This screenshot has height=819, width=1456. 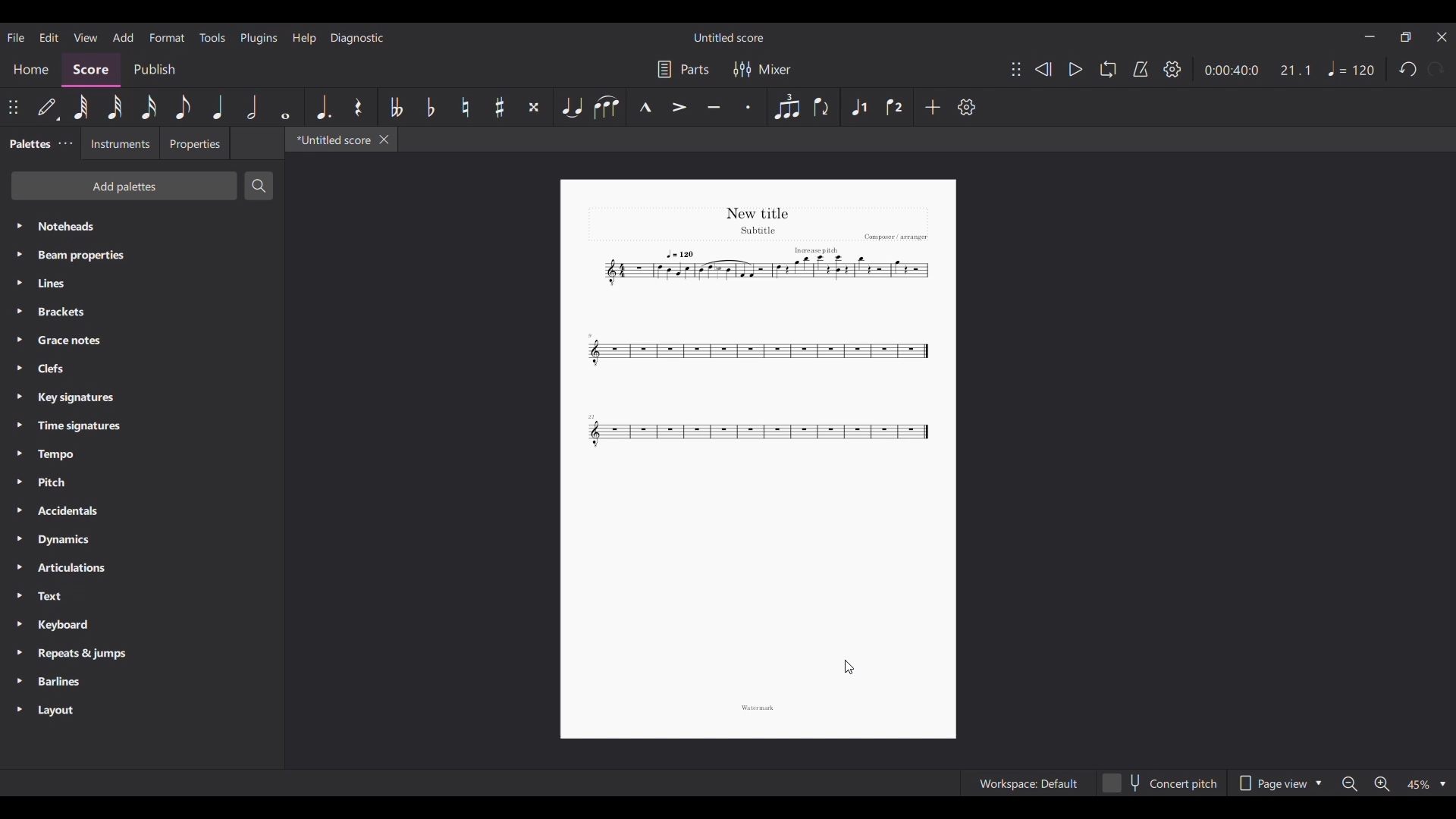 What do you see at coordinates (761, 330) in the screenshot?
I see `Current score` at bounding box center [761, 330].